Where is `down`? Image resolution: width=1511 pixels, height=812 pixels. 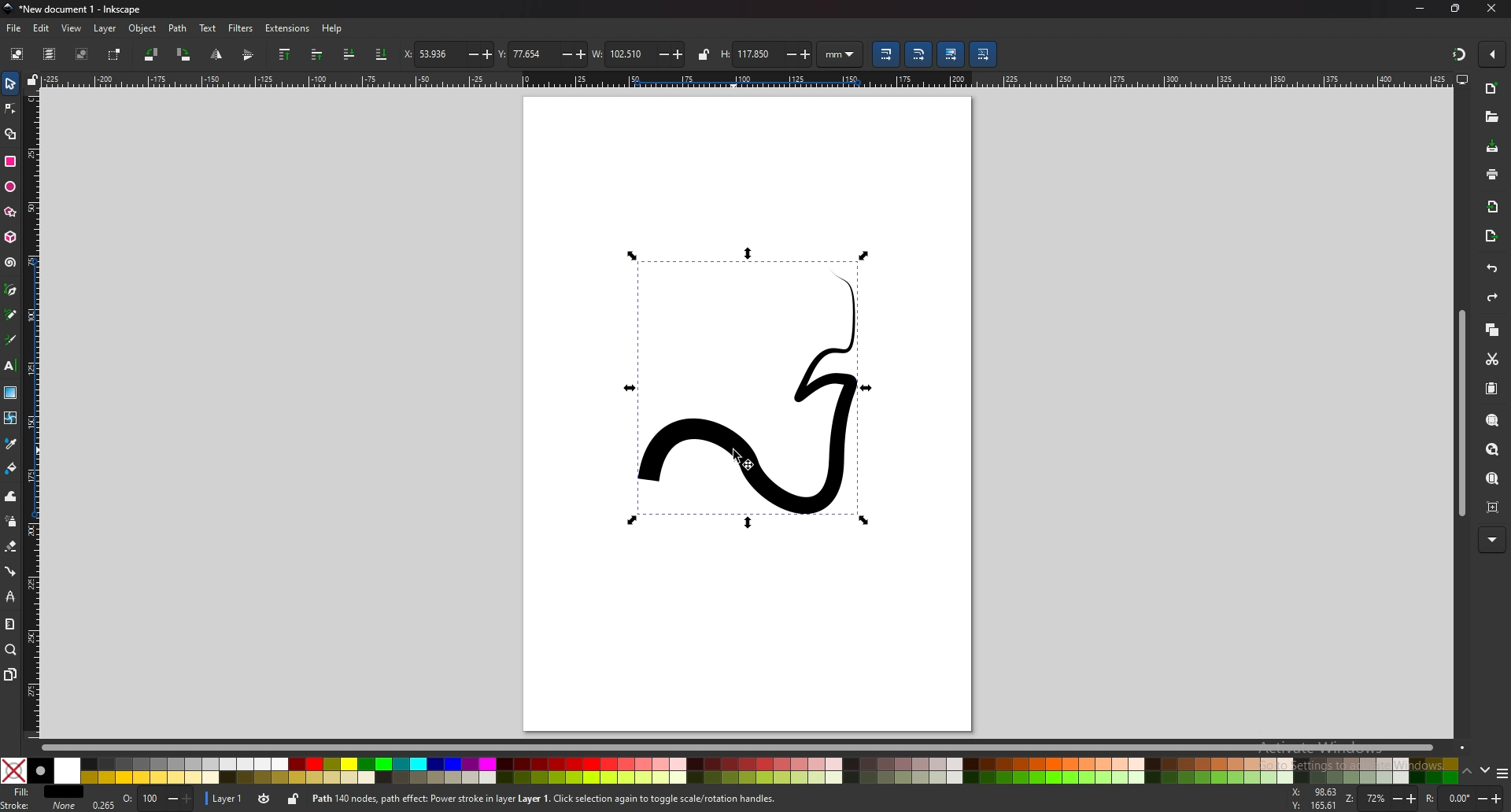
down is located at coordinates (1487, 770).